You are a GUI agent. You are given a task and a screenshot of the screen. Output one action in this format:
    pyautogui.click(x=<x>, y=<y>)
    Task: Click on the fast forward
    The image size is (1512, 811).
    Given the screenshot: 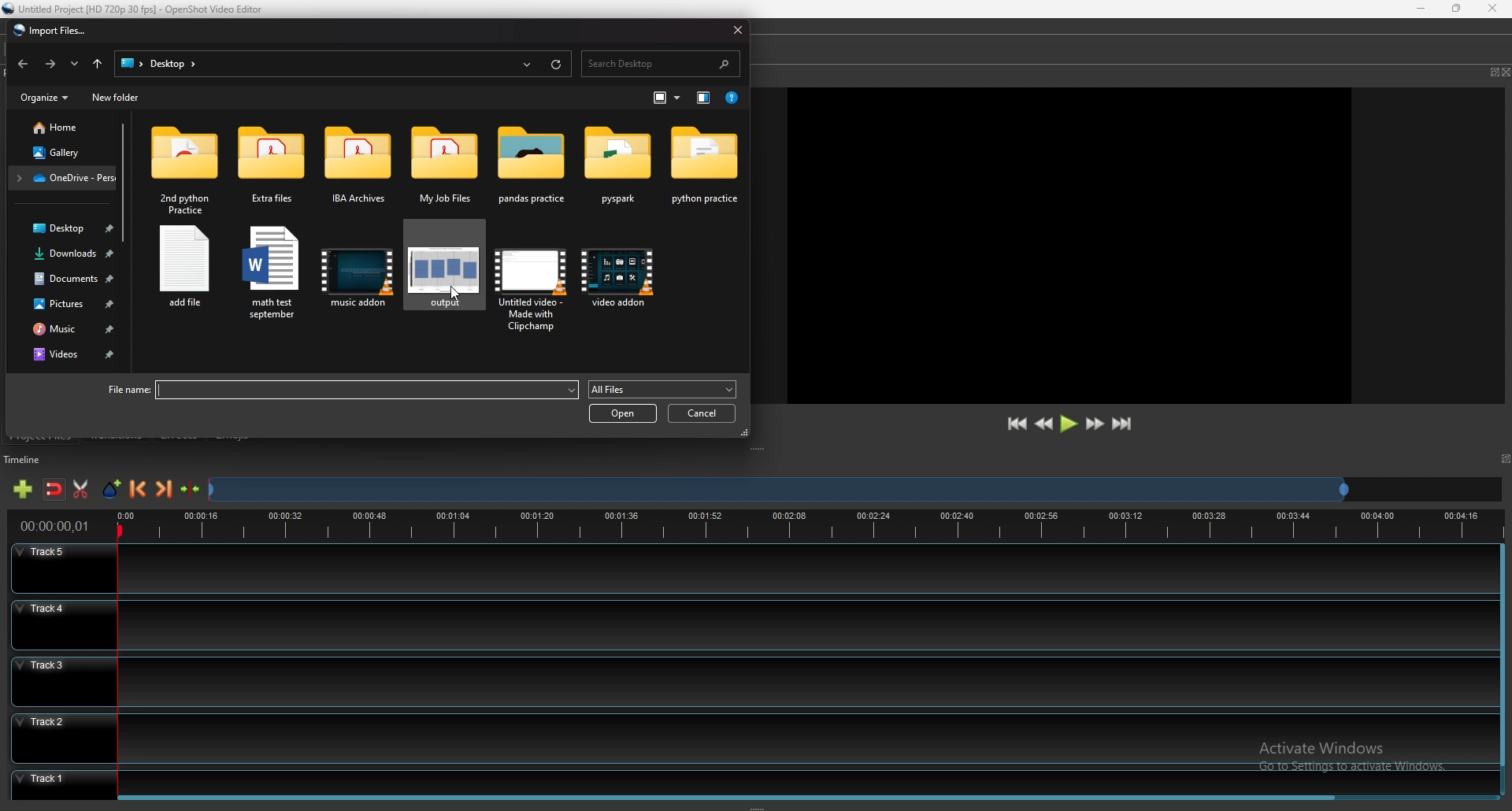 What is the action you would take?
    pyautogui.click(x=1095, y=424)
    